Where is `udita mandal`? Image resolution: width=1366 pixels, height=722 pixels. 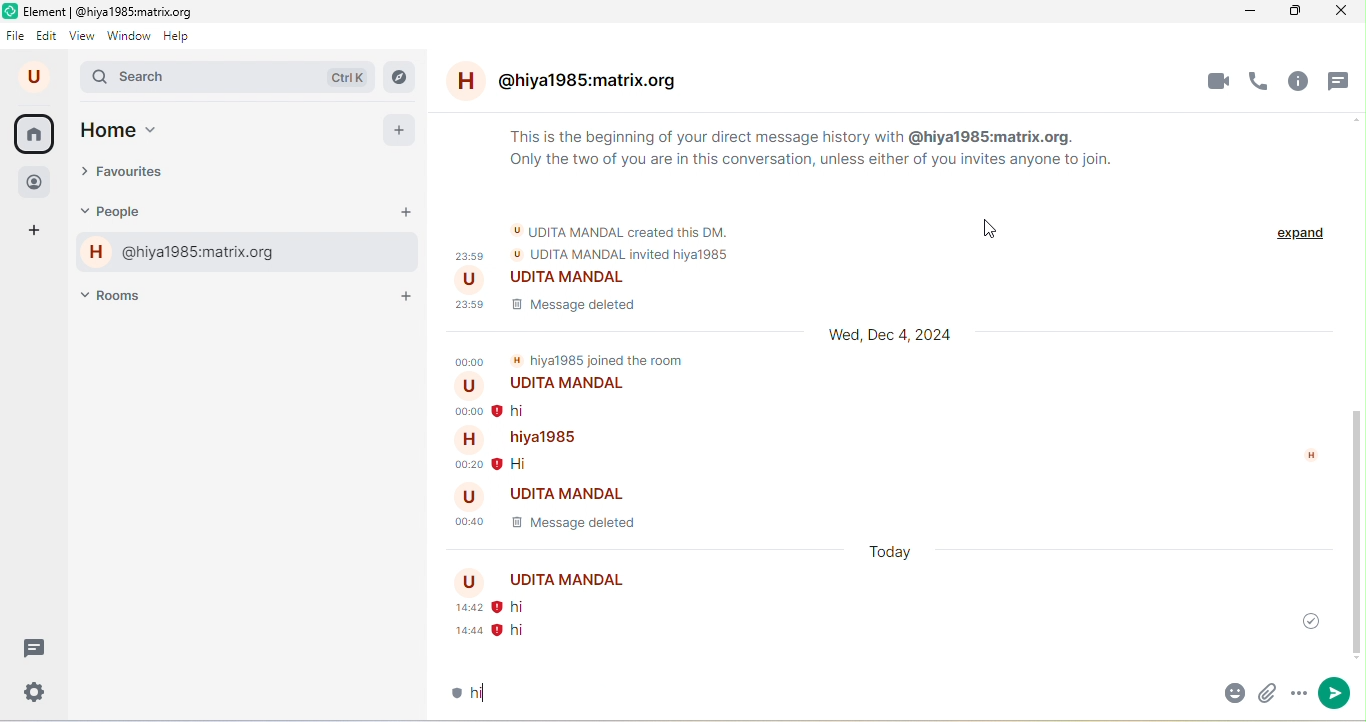 udita mandal is located at coordinates (548, 385).